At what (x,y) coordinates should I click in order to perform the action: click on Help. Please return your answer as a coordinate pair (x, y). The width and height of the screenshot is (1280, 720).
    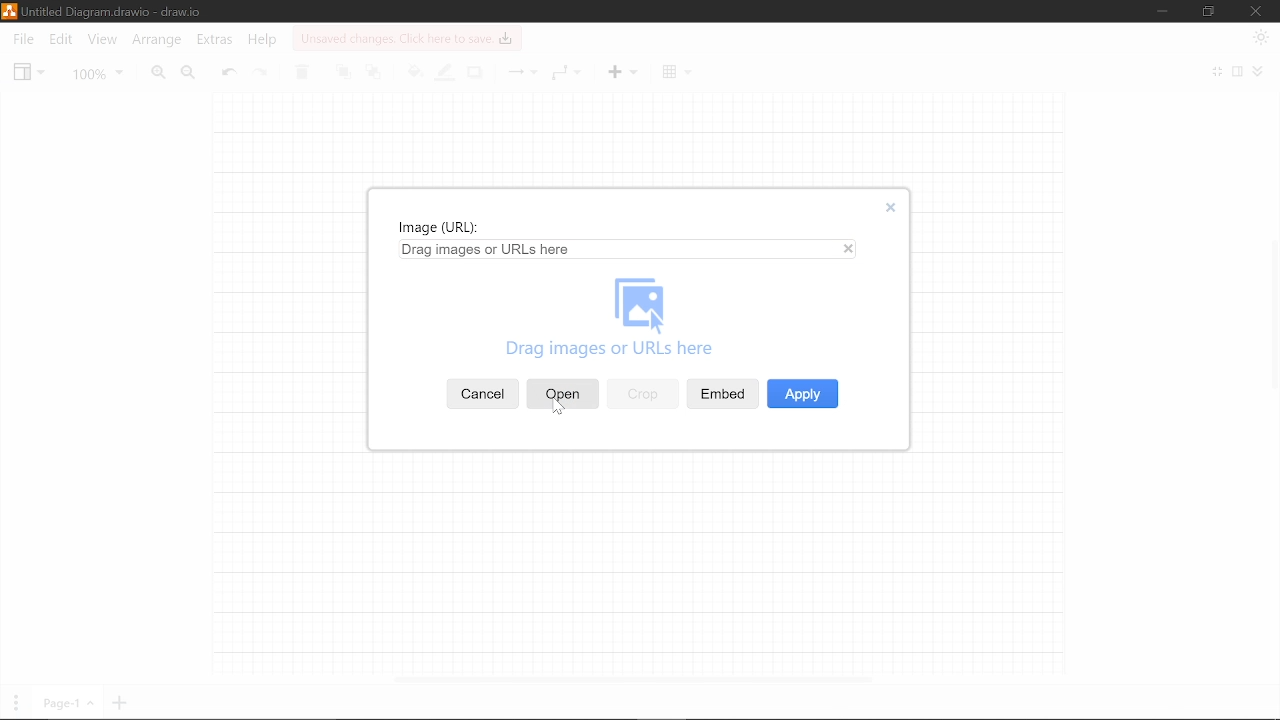
    Looking at the image, I should click on (263, 41).